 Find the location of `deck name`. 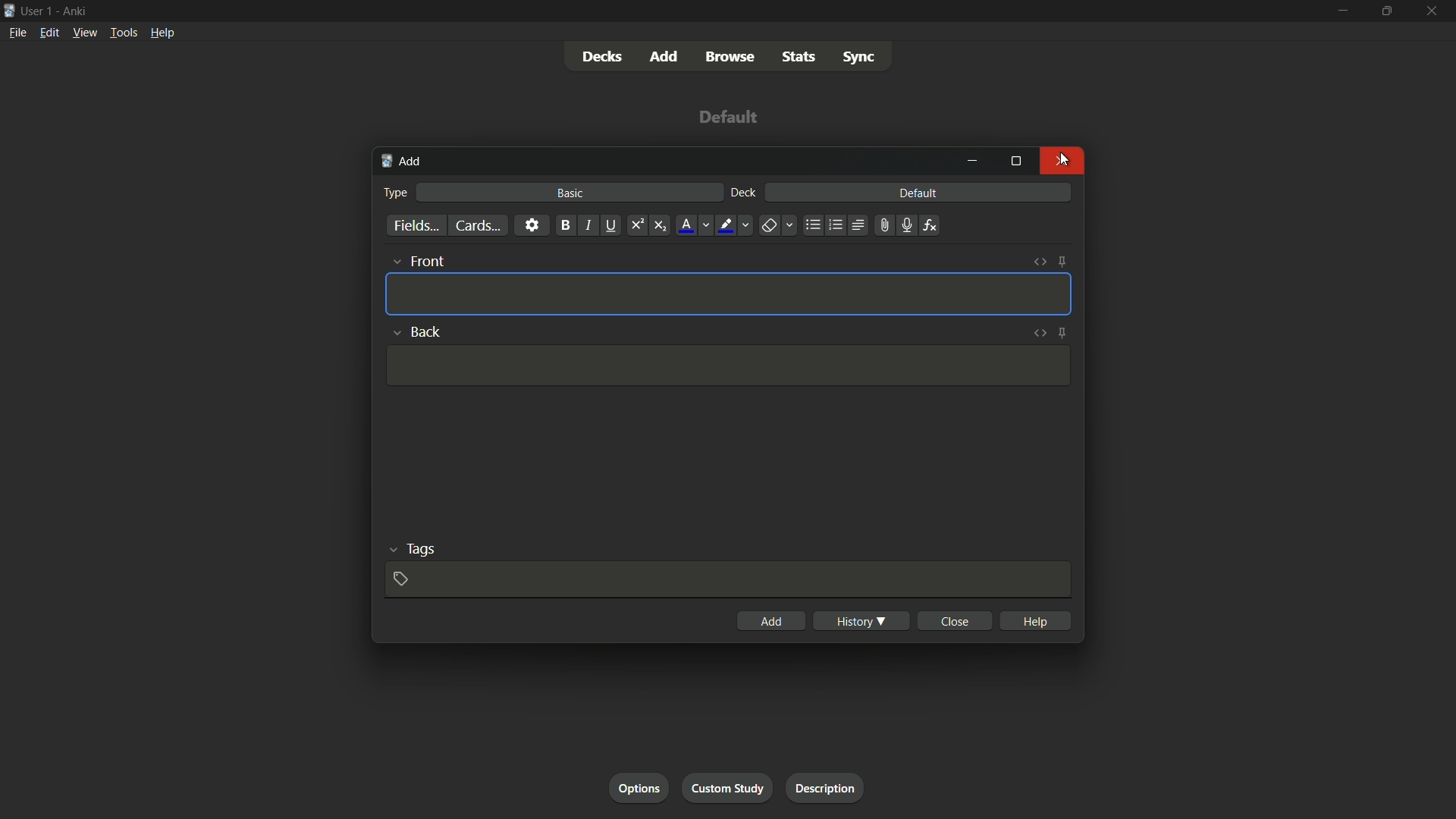

deck name is located at coordinates (732, 118).